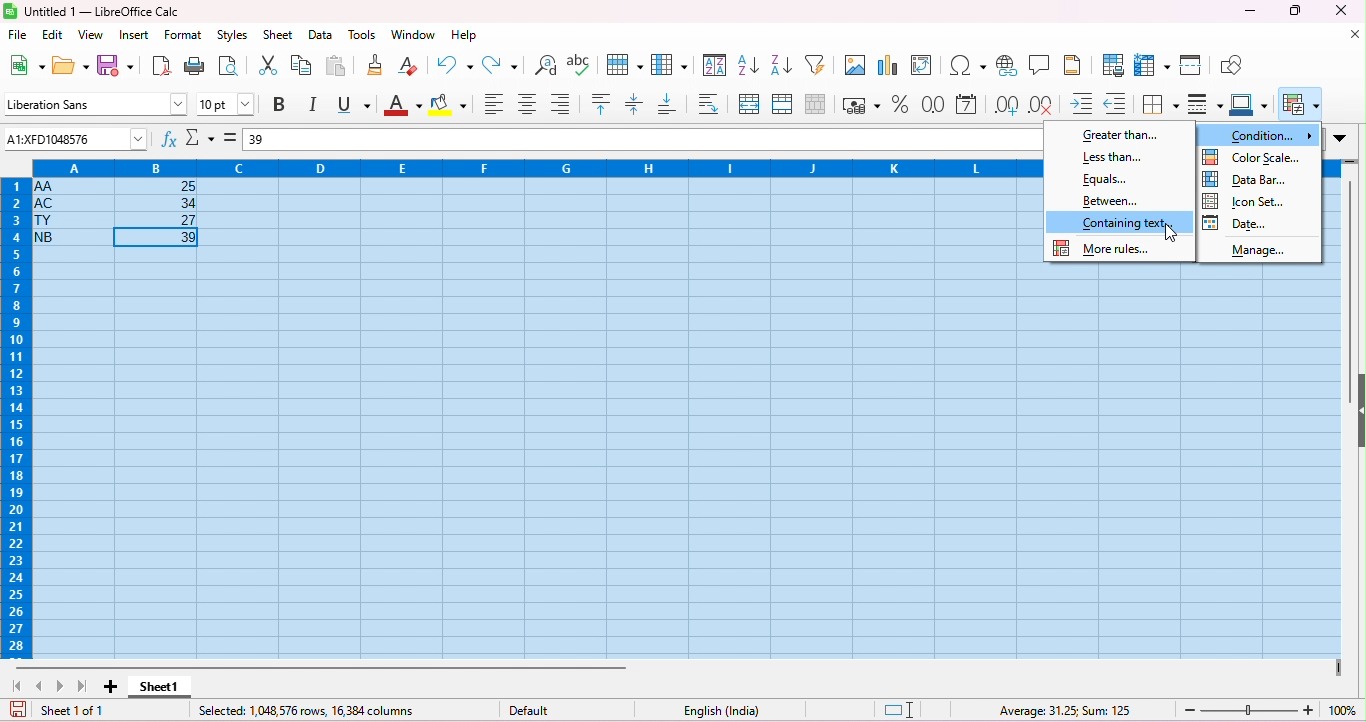 The height and width of the screenshot is (722, 1366). What do you see at coordinates (899, 711) in the screenshot?
I see `standard selection` at bounding box center [899, 711].